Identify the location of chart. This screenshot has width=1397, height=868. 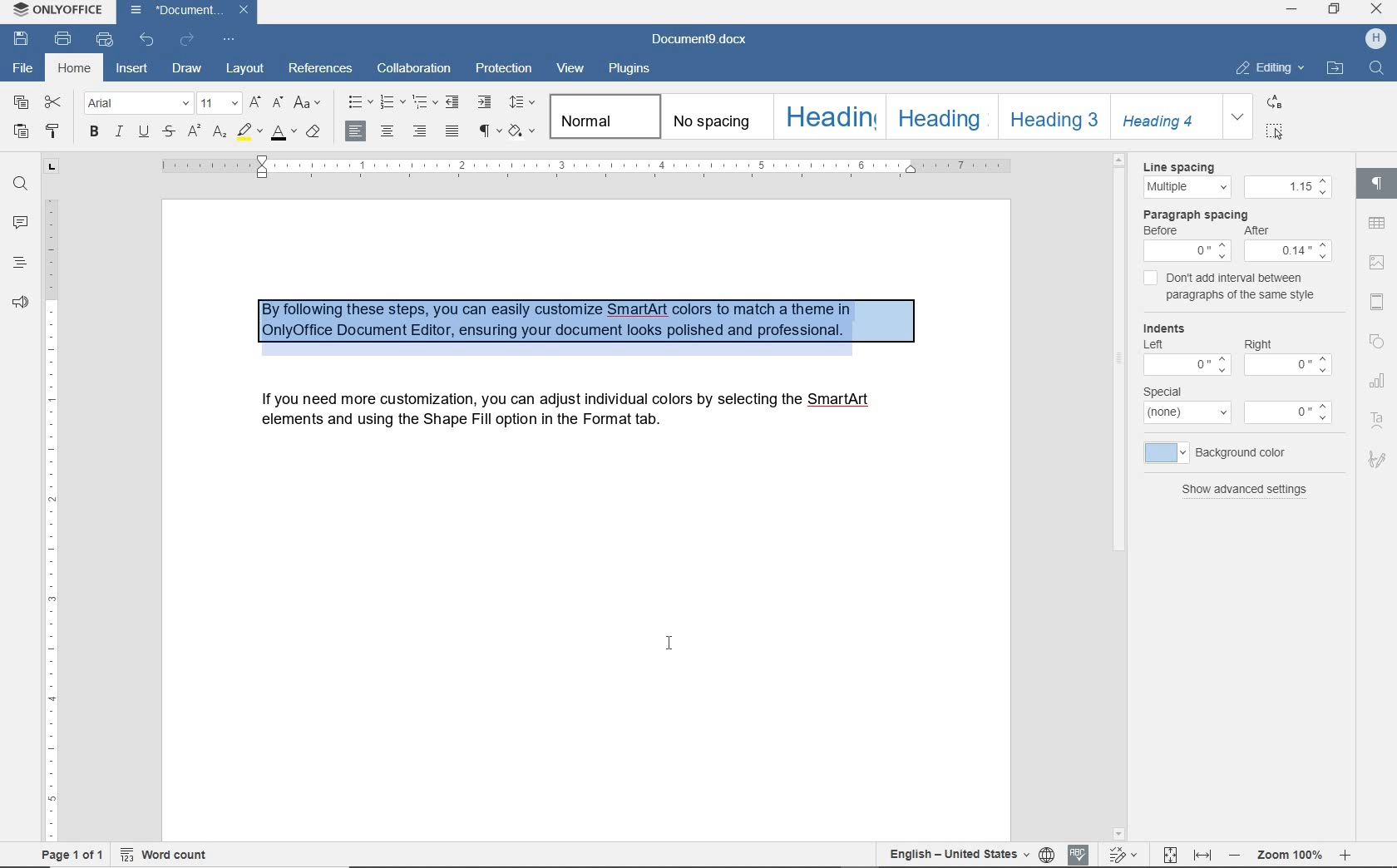
(1379, 379).